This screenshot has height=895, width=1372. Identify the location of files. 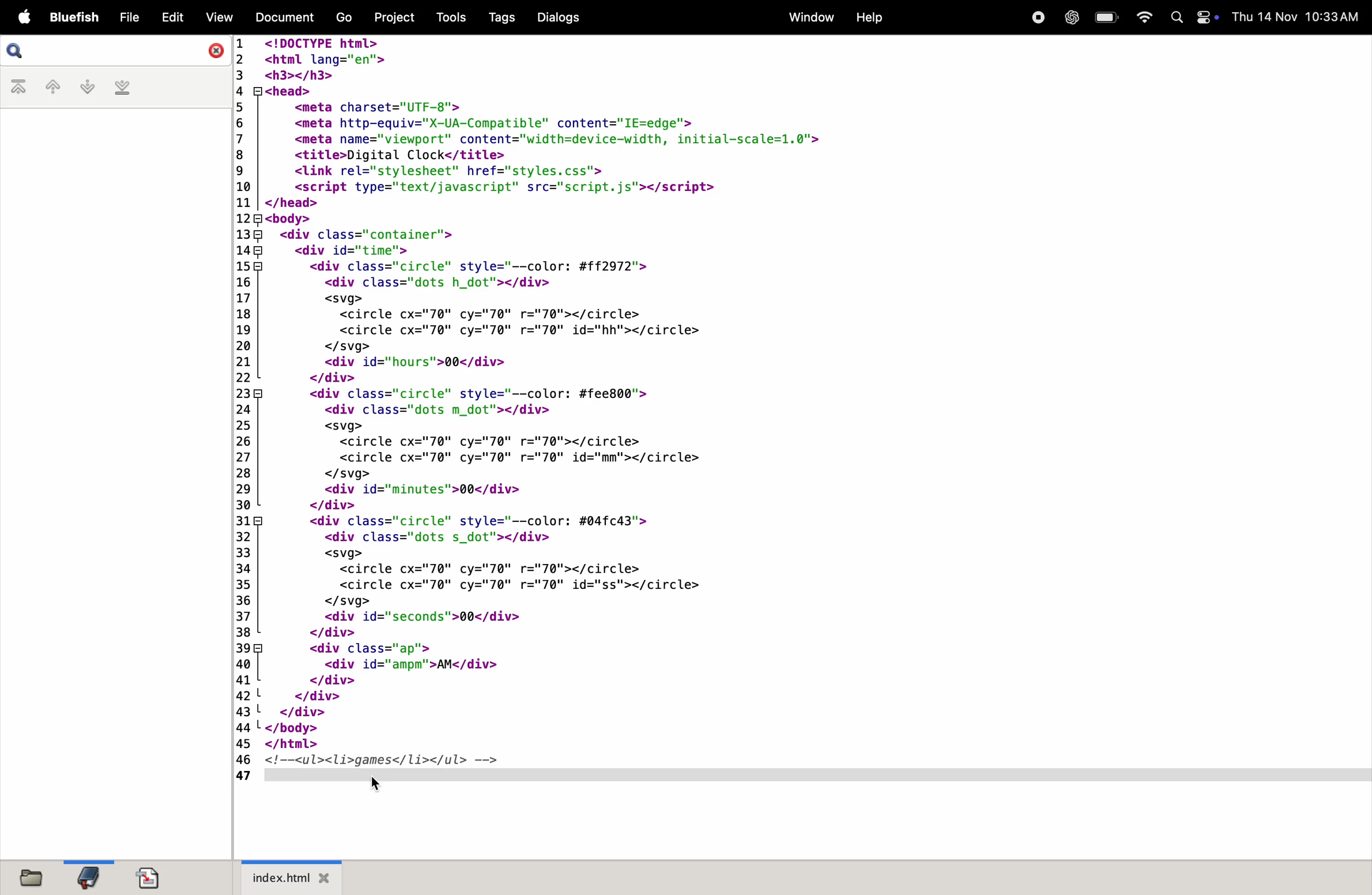
(35, 877).